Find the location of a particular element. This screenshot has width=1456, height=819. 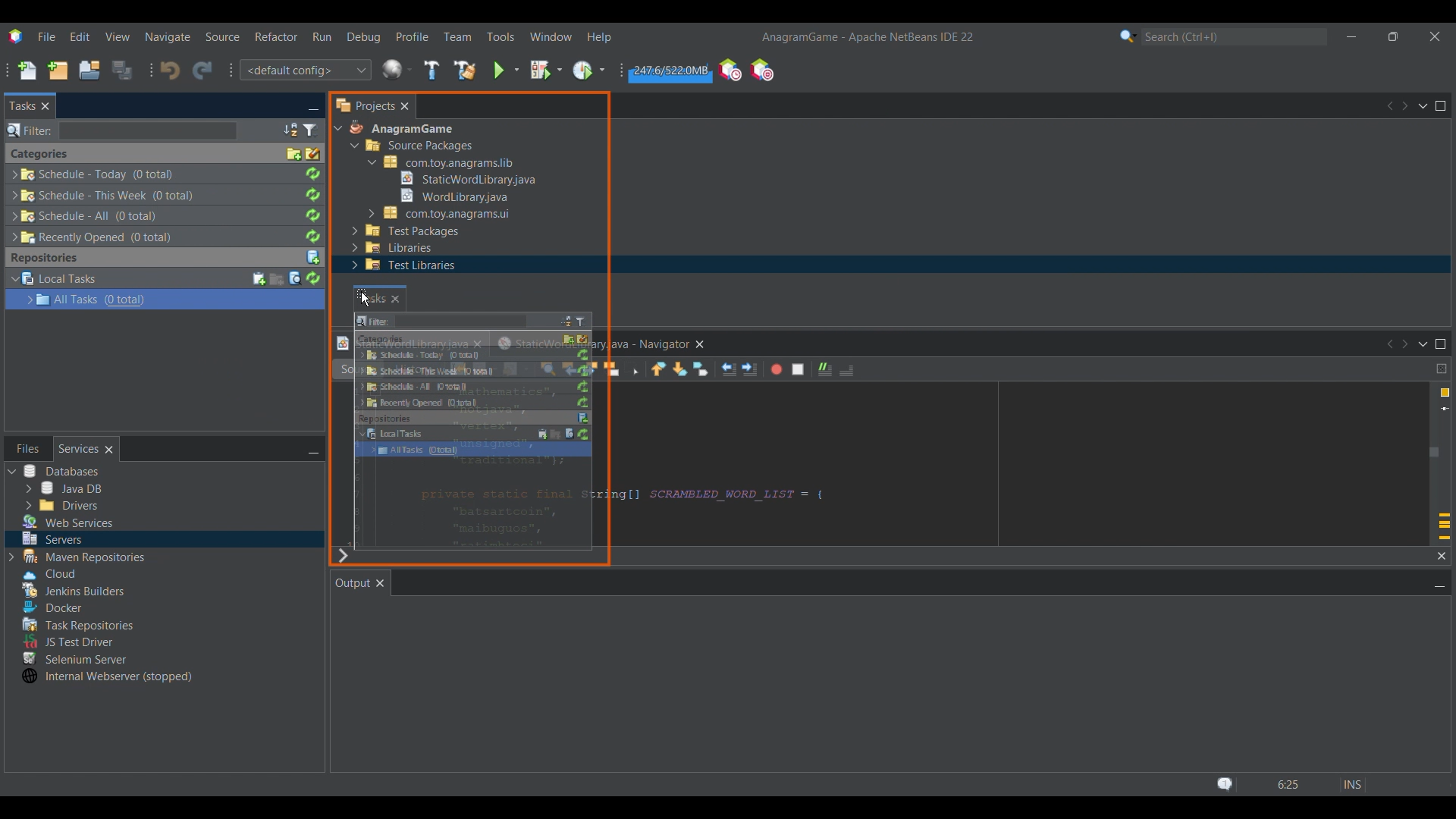

Navigate menu is located at coordinates (168, 37).